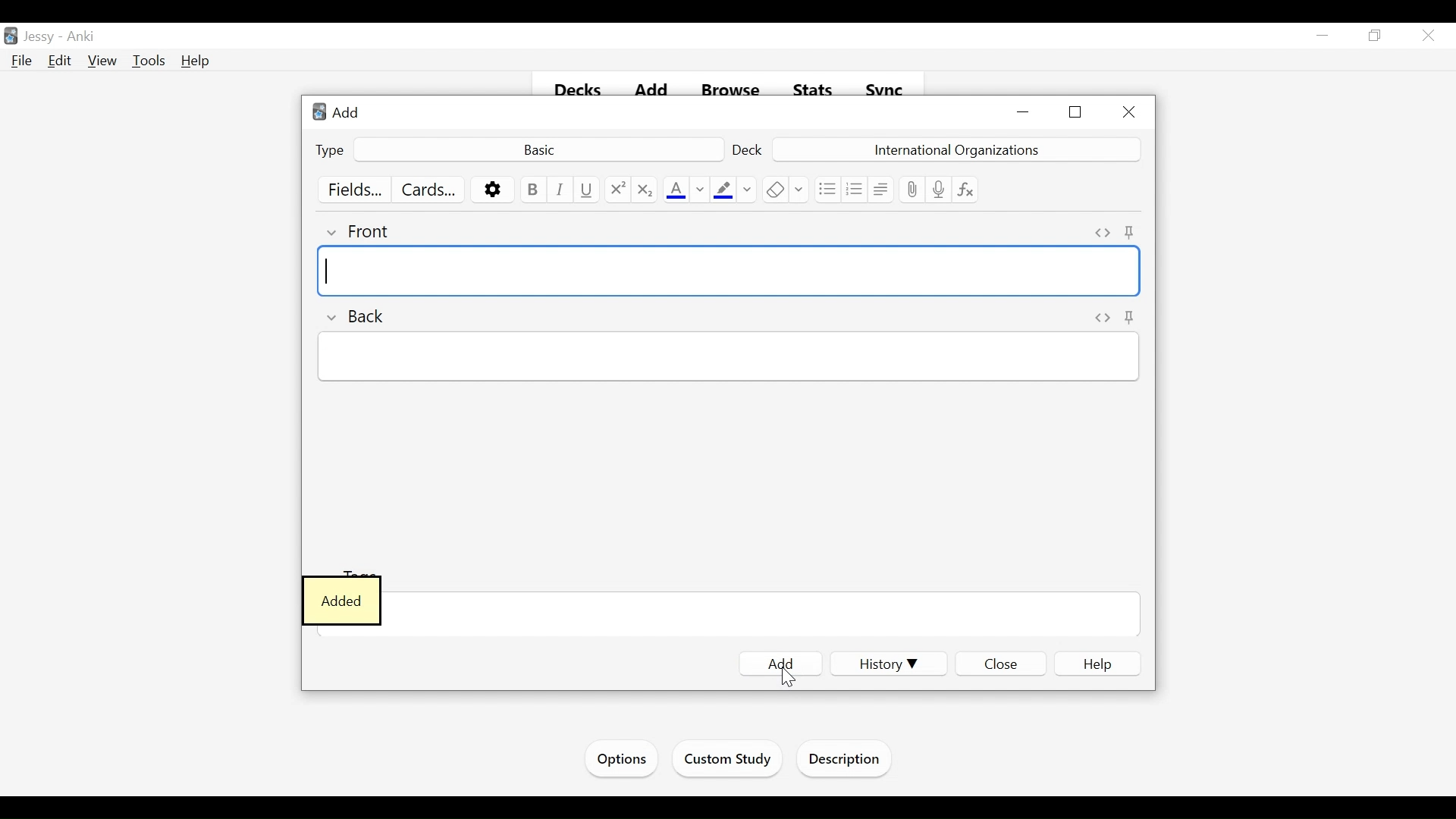 This screenshot has width=1456, height=819. What do you see at coordinates (1129, 111) in the screenshot?
I see `Close` at bounding box center [1129, 111].